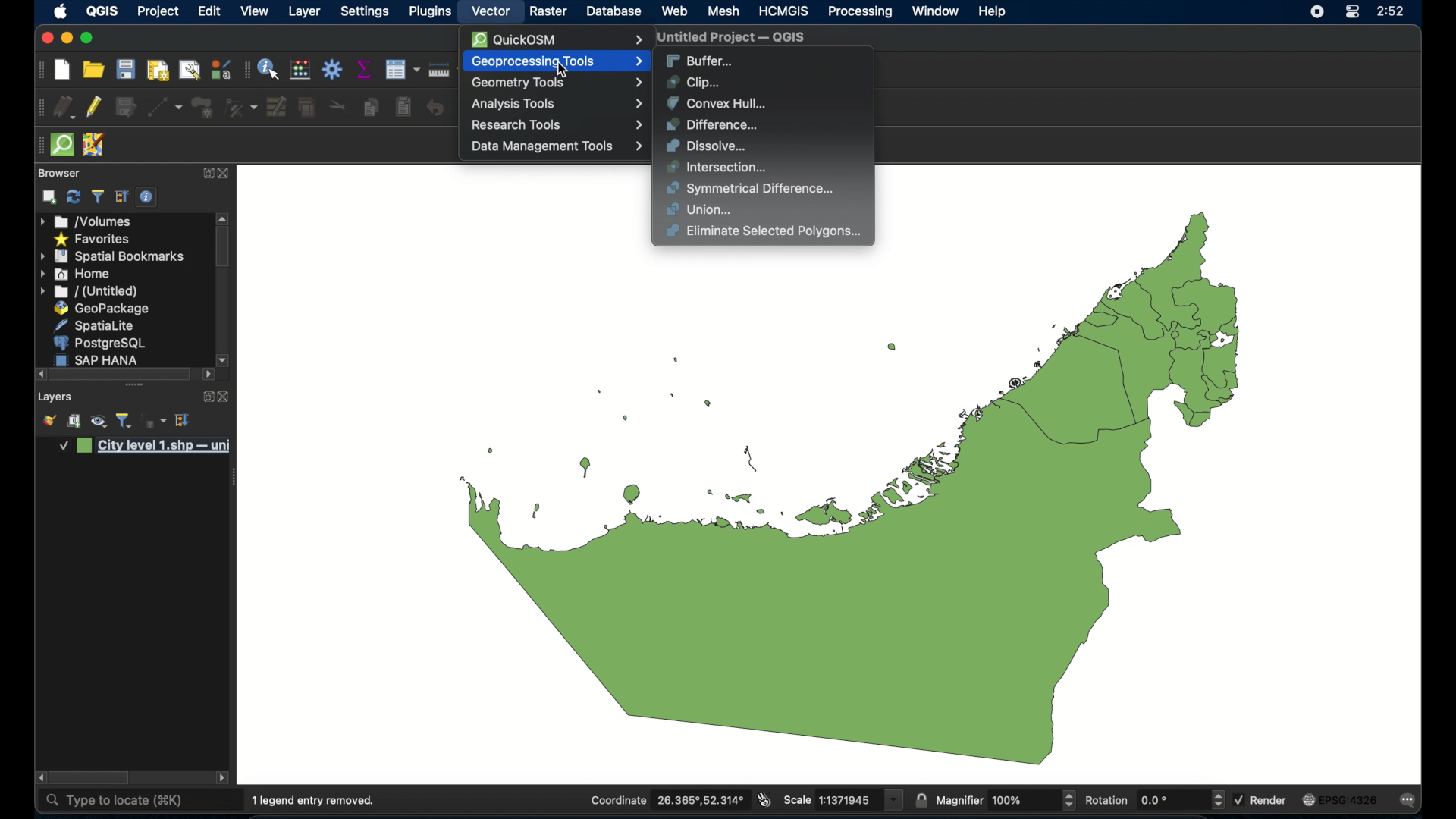 The image size is (1456, 819). I want to click on scroll left arrow, so click(224, 779).